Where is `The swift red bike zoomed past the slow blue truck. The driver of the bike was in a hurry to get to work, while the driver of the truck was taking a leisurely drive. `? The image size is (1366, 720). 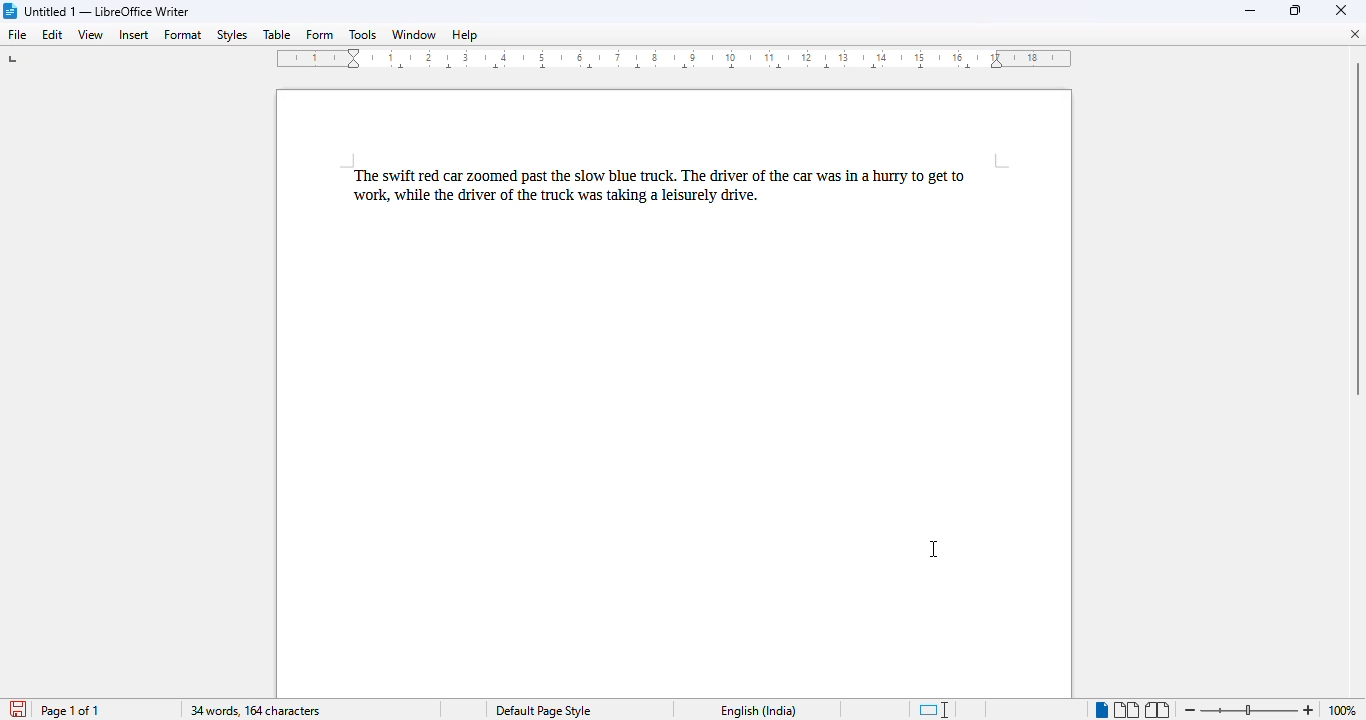 The swift red bike zoomed past the slow blue truck. The driver of the bike was in a hurry to get to work, while the driver of the truck was taking a leisurely drive.  is located at coordinates (678, 187).